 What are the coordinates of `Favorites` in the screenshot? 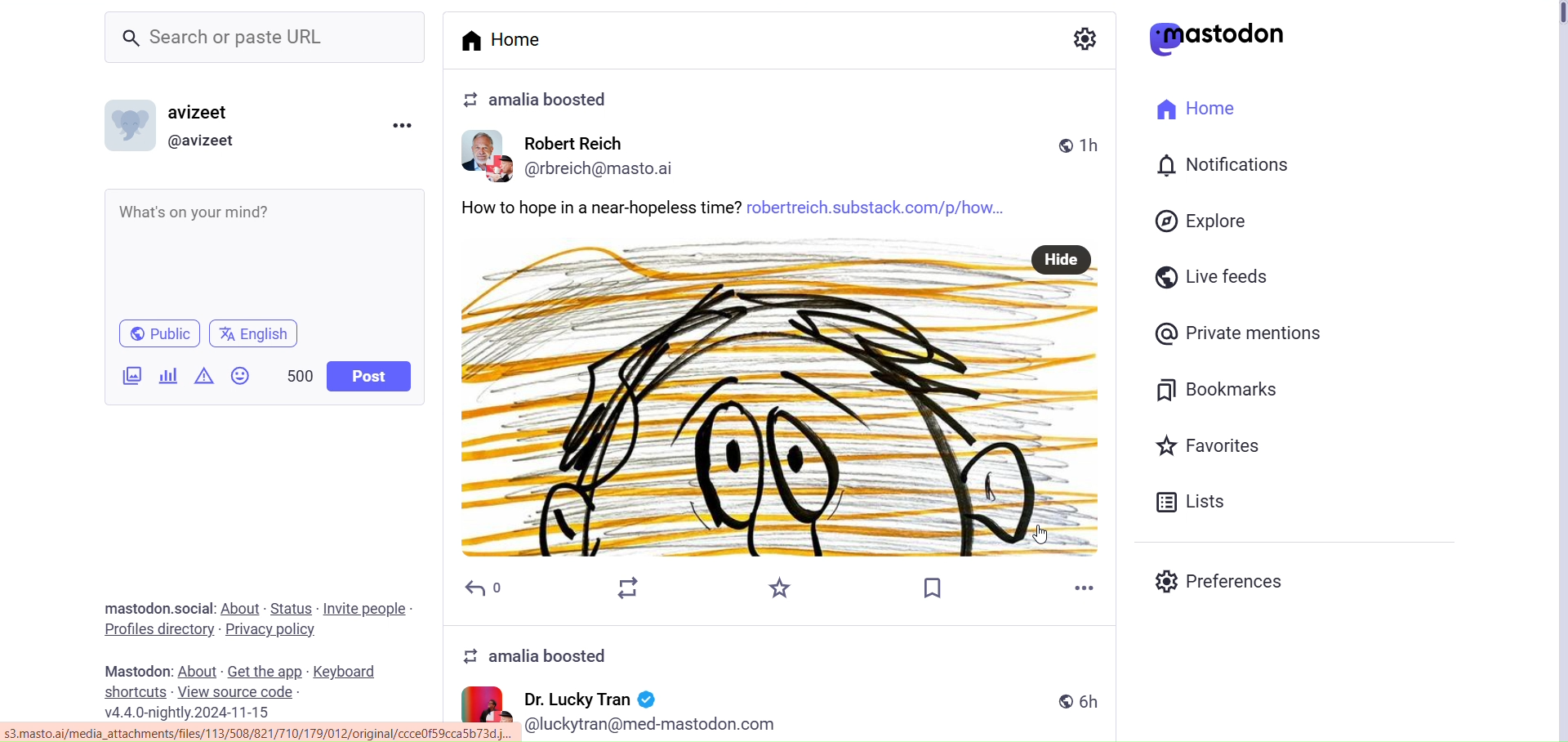 It's located at (1210, 444).